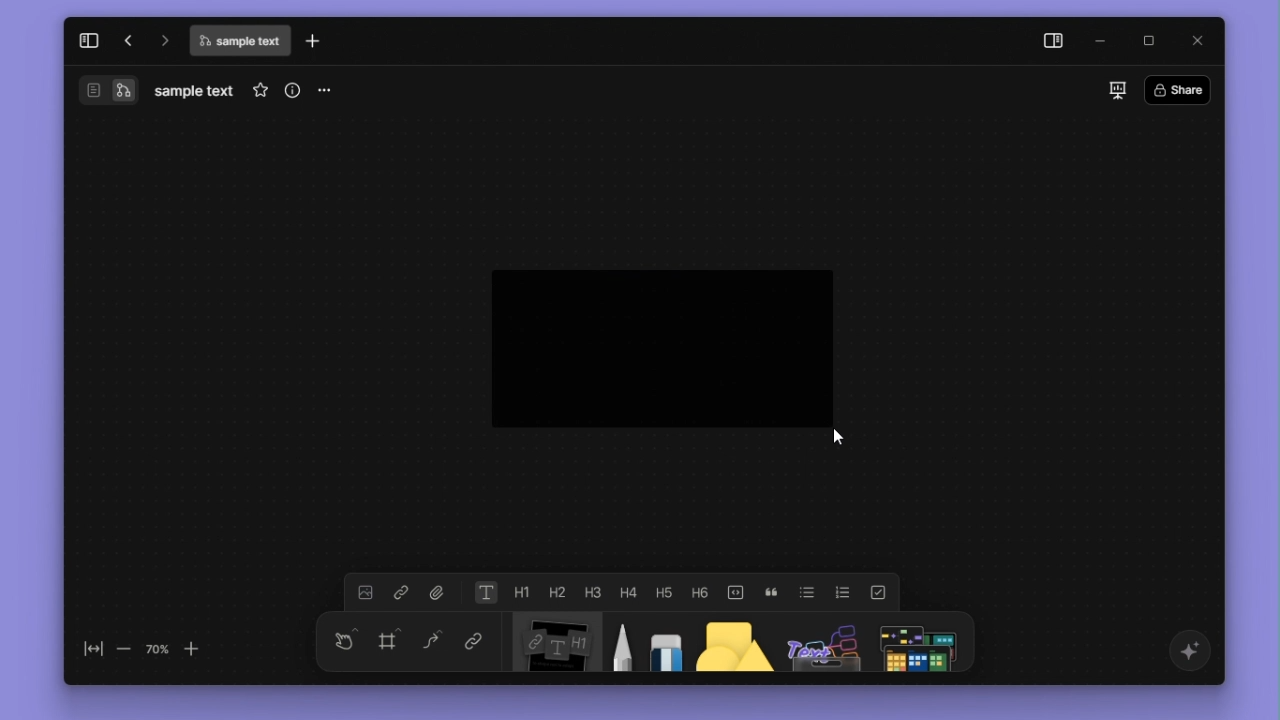 Image resolution: width=1280 pixels, height=720 pixels. I want to click on text, so click(485, 593).